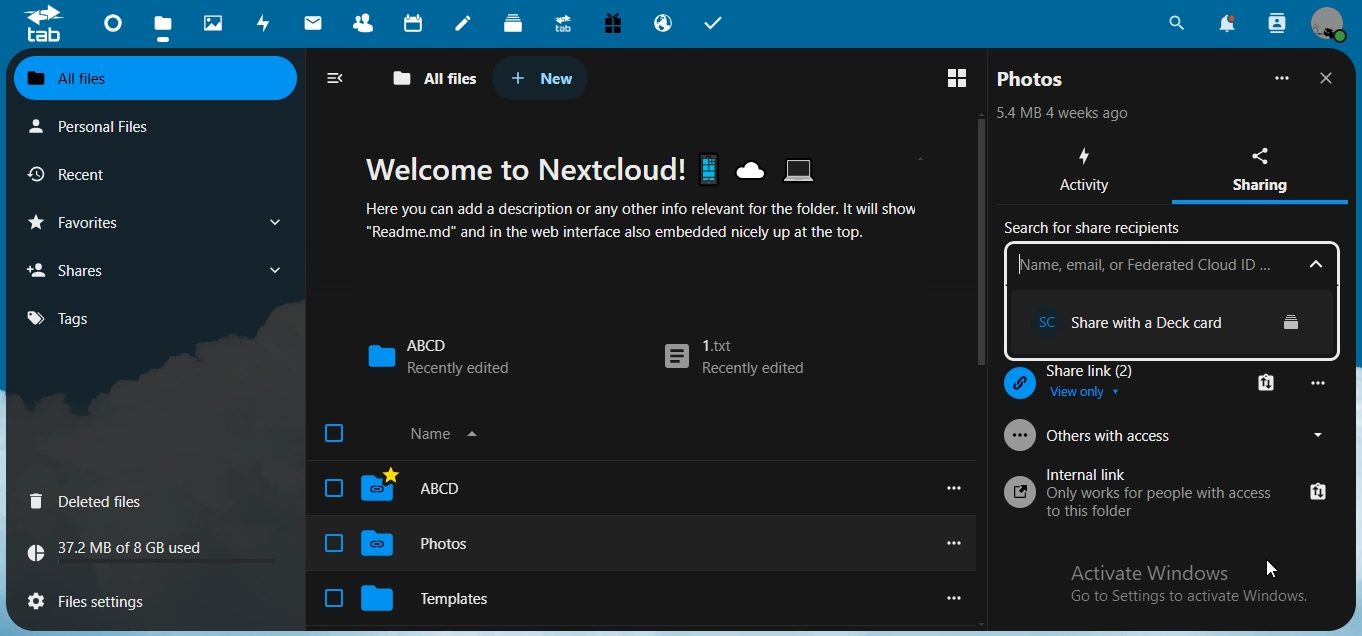  I want to click on all files, so click(152, 79).